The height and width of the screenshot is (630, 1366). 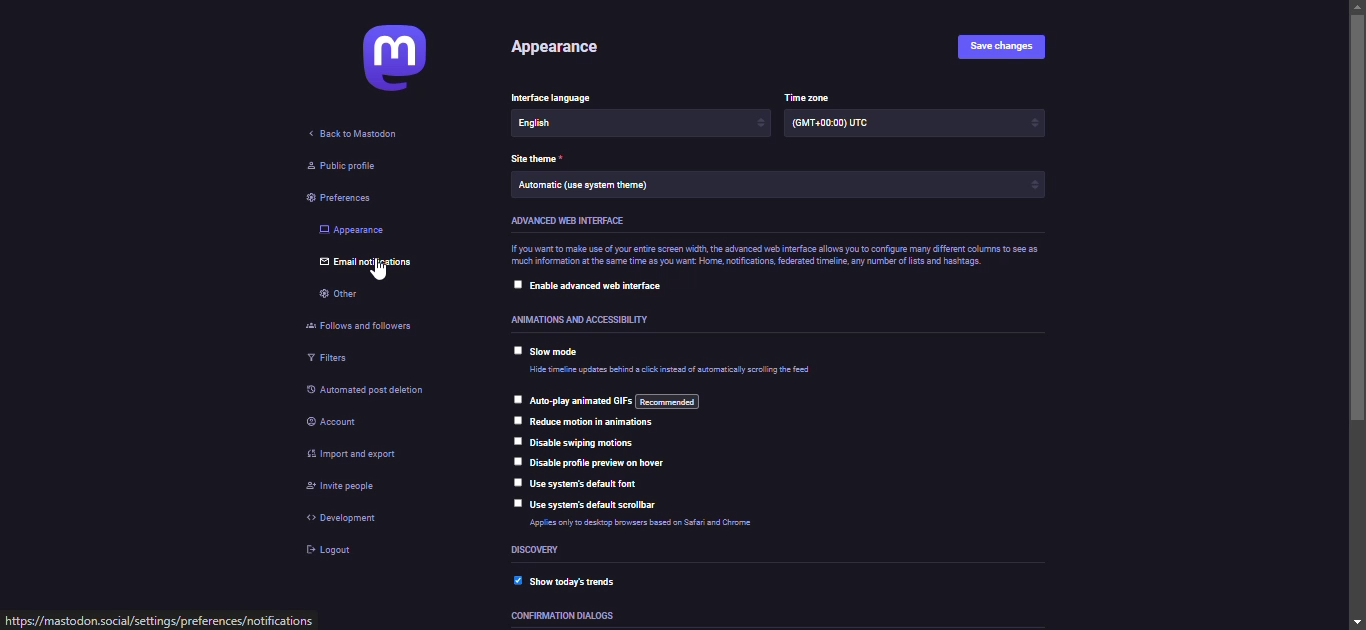 What do you see at coordinates (558, 49) in the screenshot?
I see `appearance` at bounding box center [558, 49].